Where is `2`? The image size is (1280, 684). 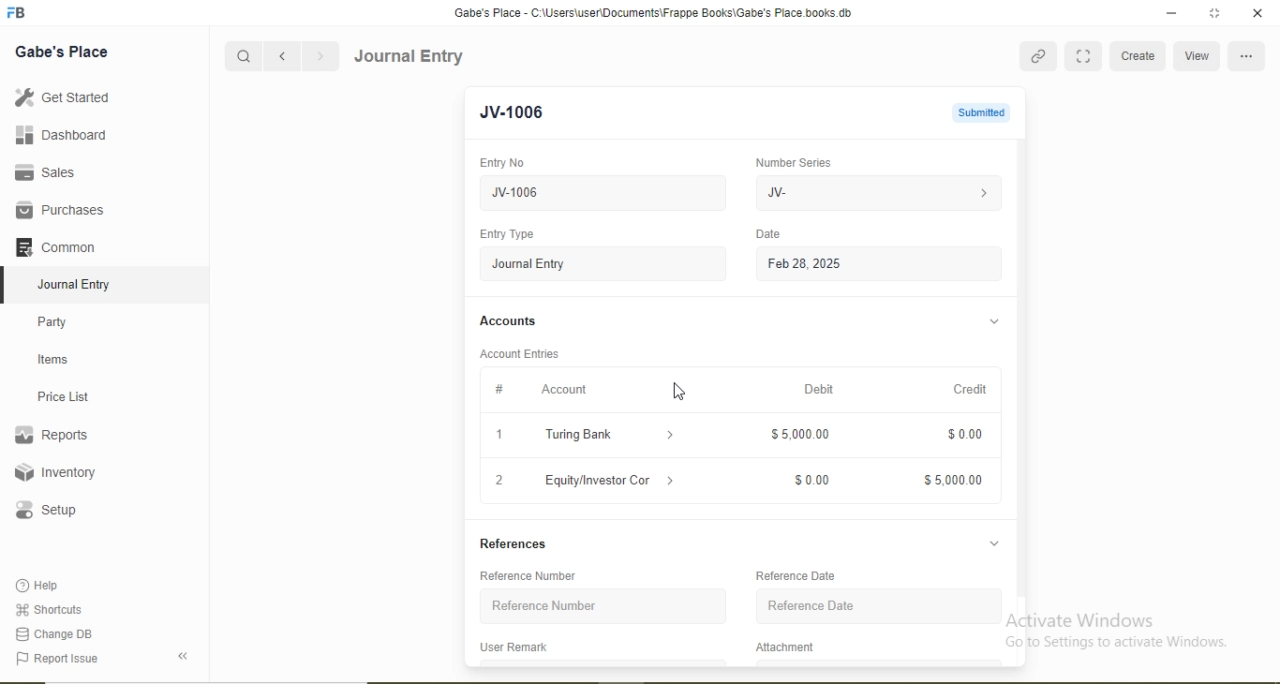 2 is located at coordinates (500, 481).